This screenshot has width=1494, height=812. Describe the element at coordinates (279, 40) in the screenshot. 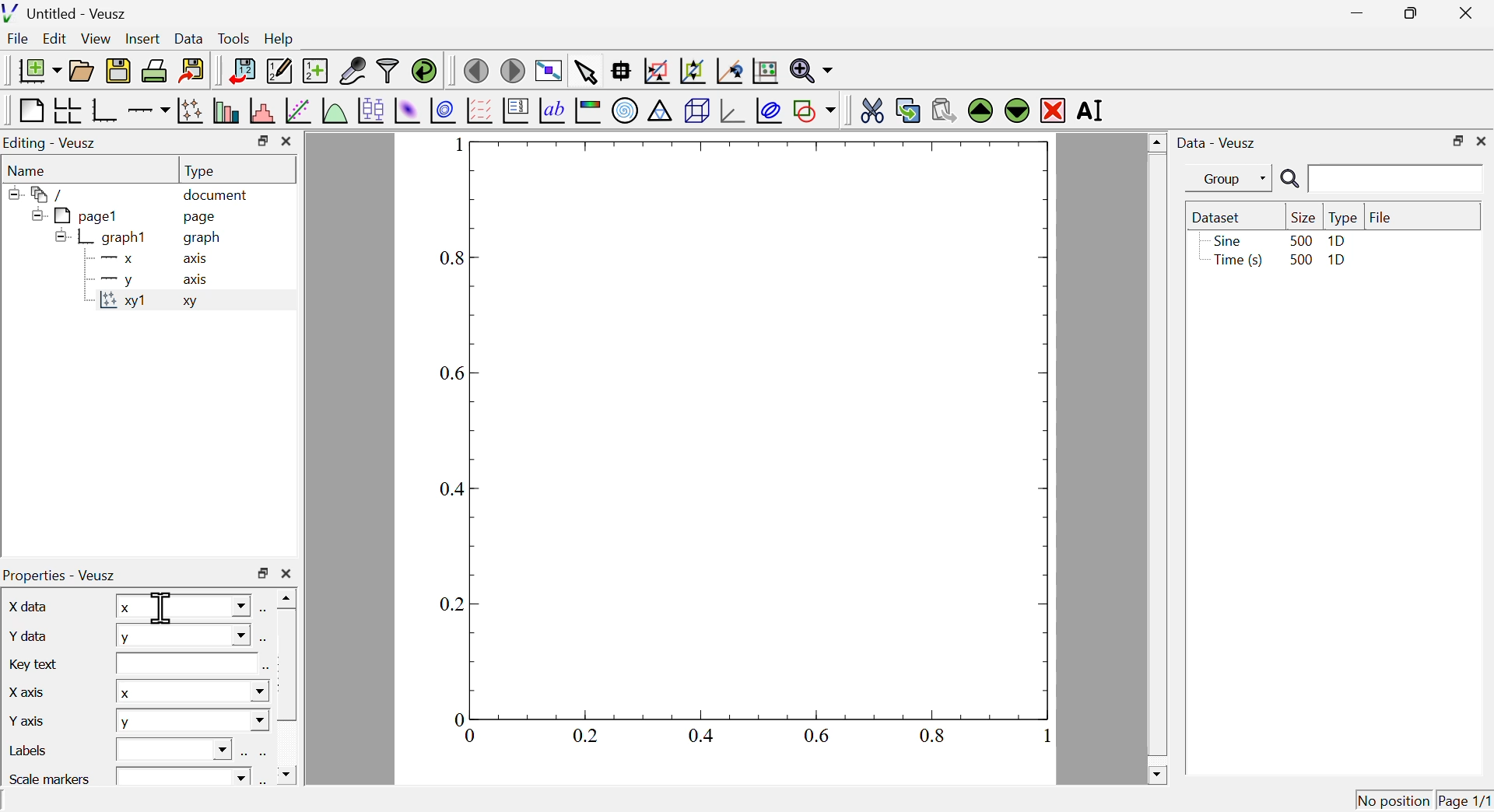

I see `help` at that location.